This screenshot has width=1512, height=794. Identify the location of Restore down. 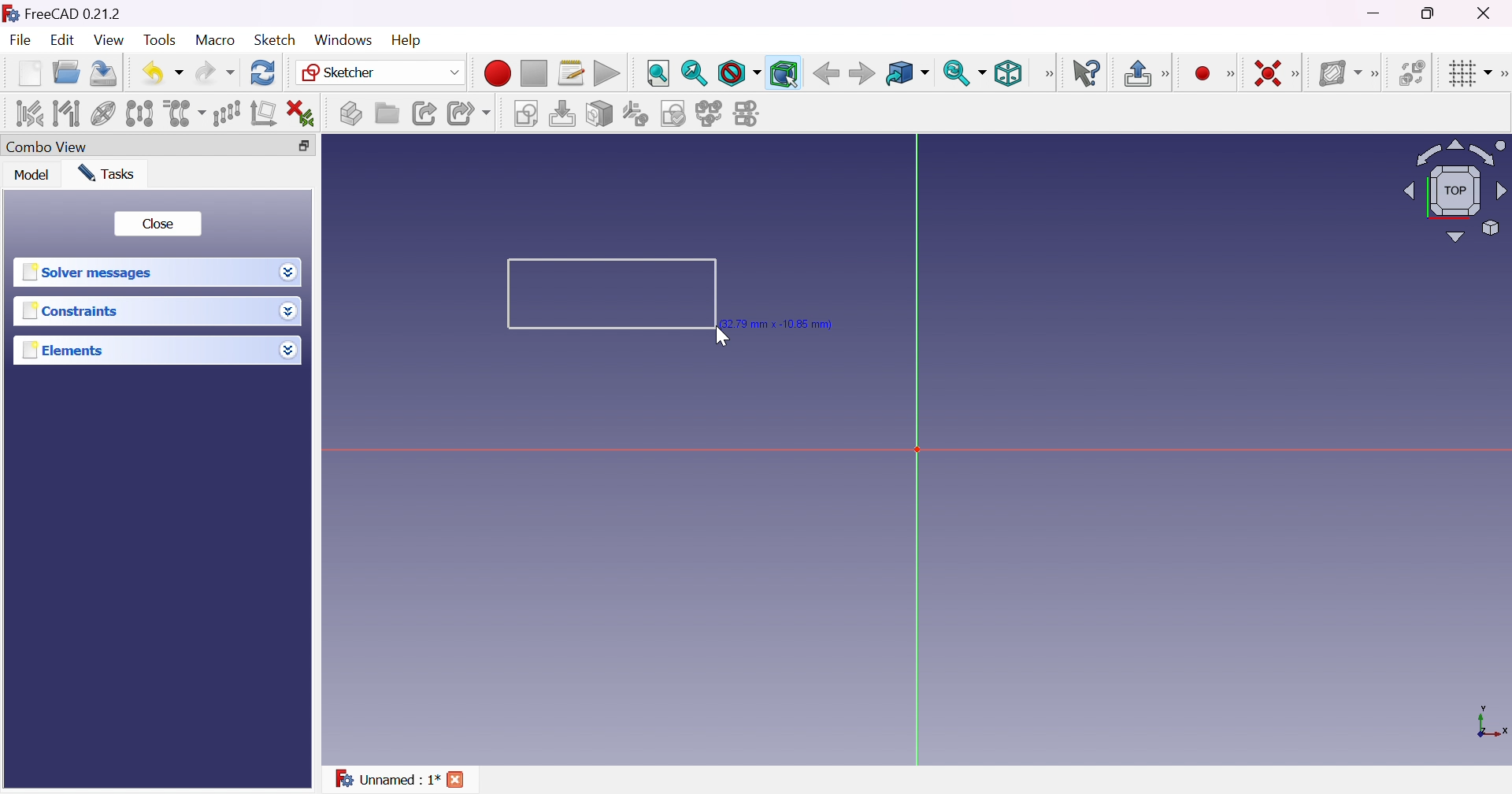
(1431, 13).